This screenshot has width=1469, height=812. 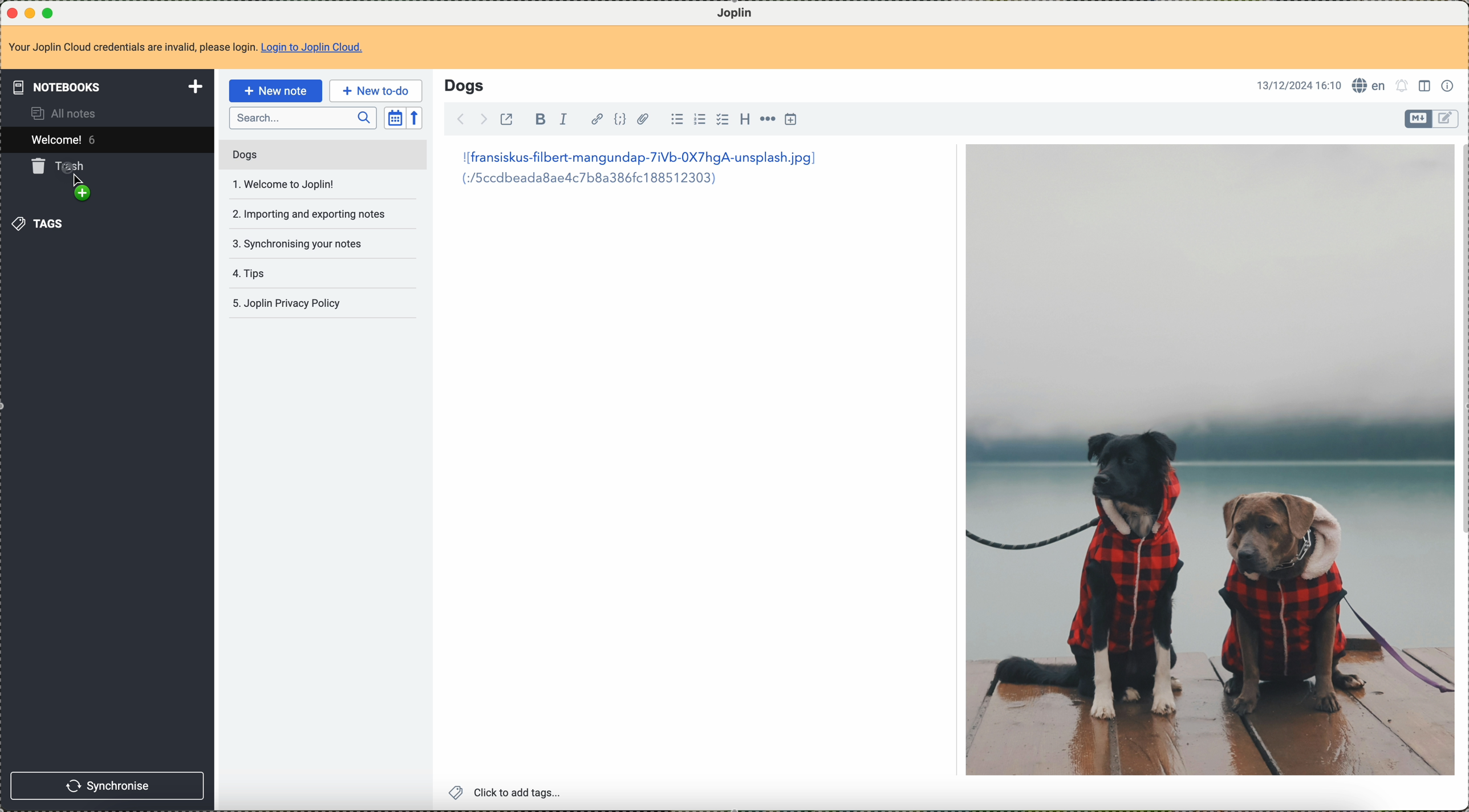 What do you see at coordinates (676, 120) in the screenshot?
I see `bulleted list` at bounding box center [676, 120].